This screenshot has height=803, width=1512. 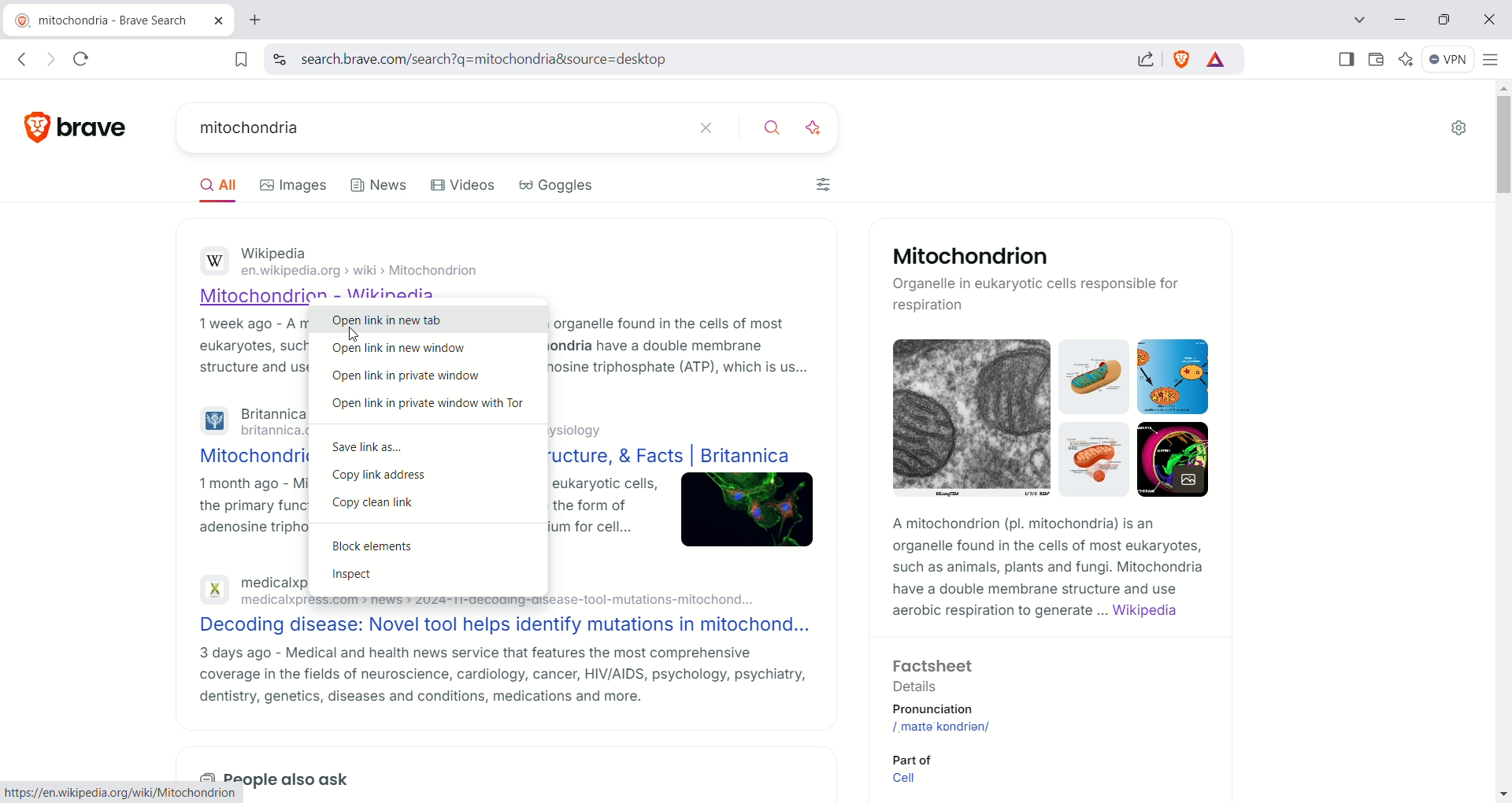 What do you see at coordinates (707, 130) in the screenshot?
I see `close` at bounding box center [707, 130].